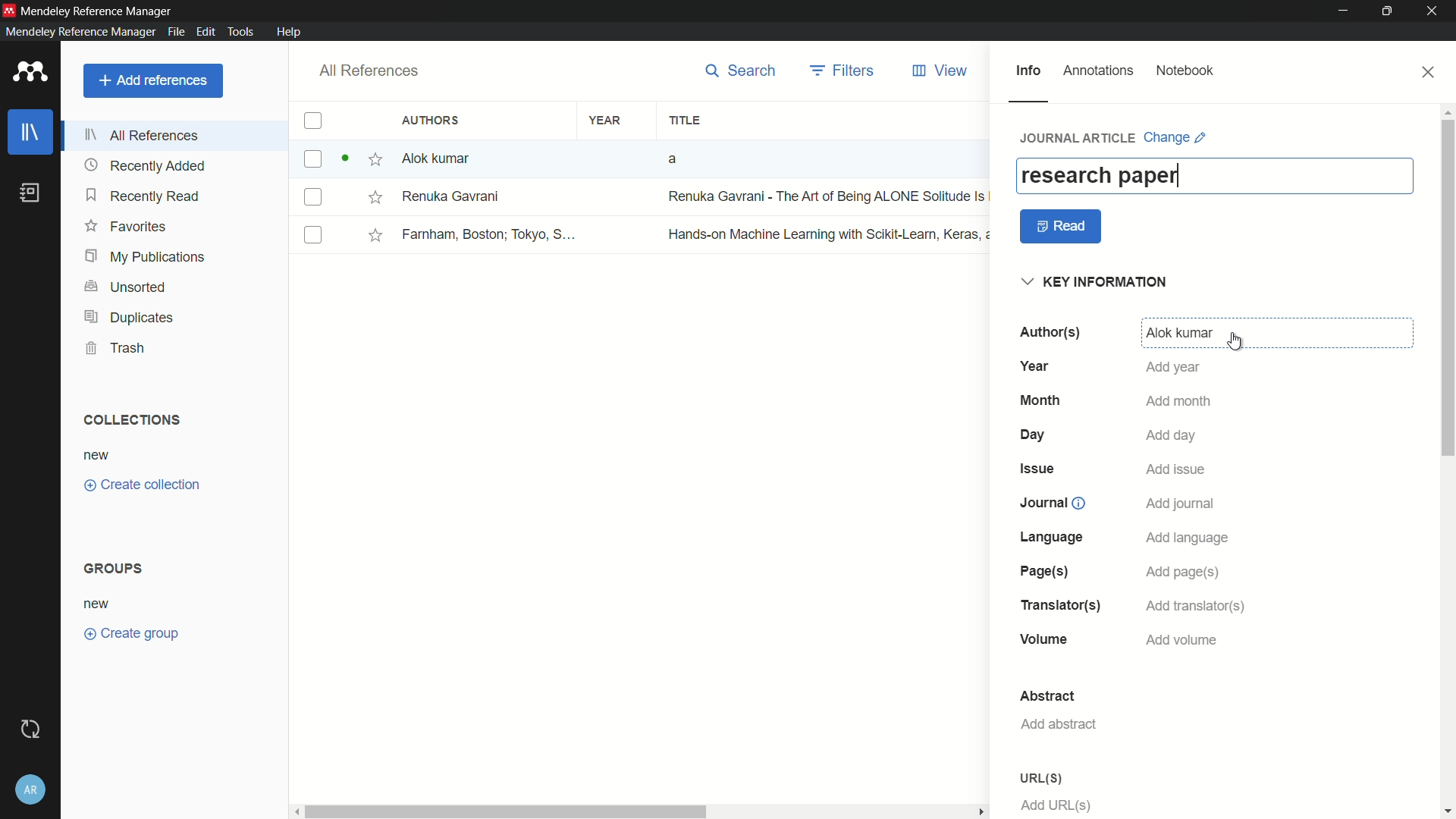  What do you see at coordinates (125, 225) in the screenshot?
I see `favorites` at bounding box center [125, 225].